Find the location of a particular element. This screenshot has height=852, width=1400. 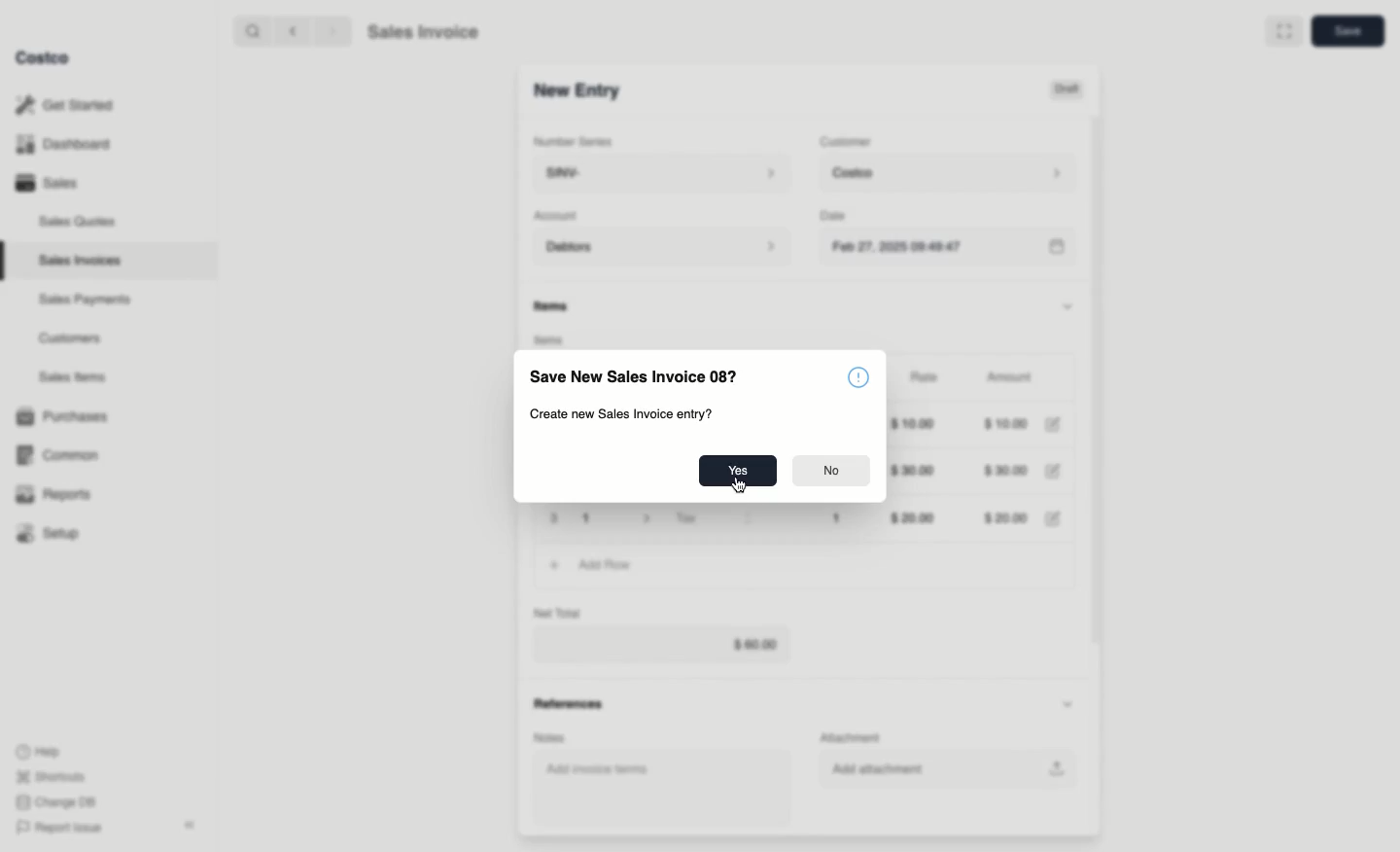

Sales Invoices is located at coordinates (83, 260).